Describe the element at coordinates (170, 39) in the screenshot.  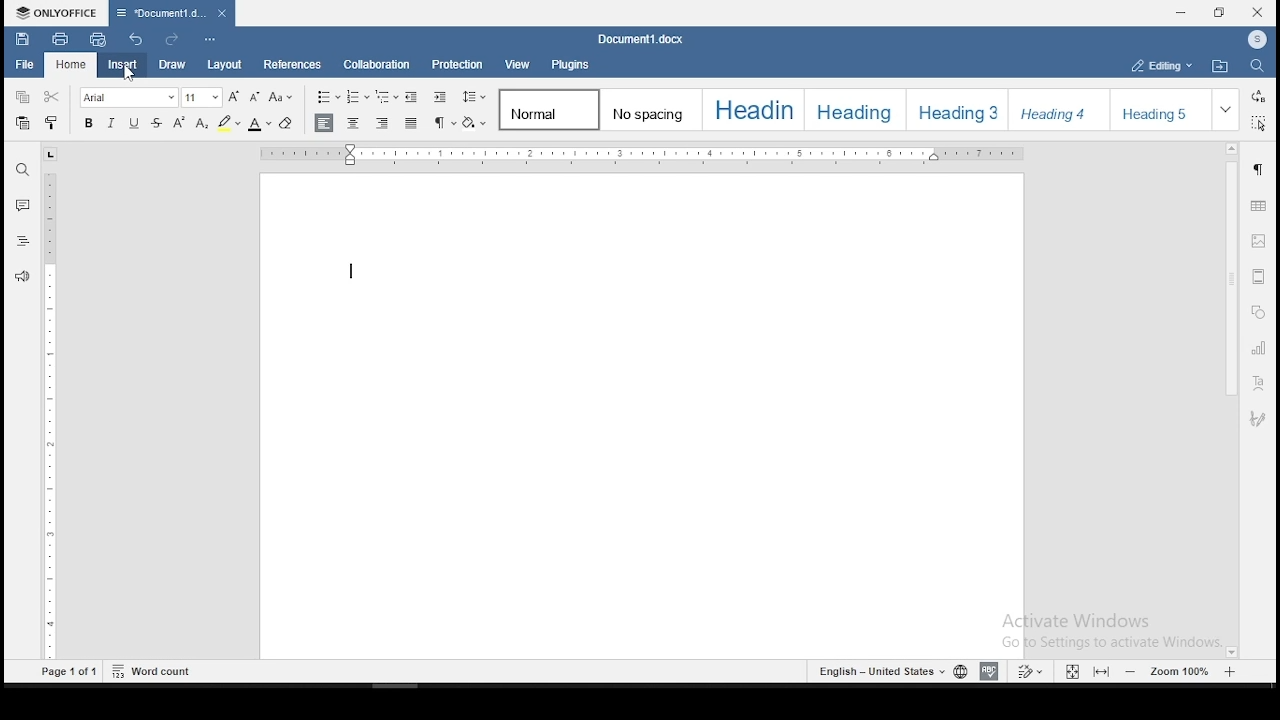
I see `redo` at that location.